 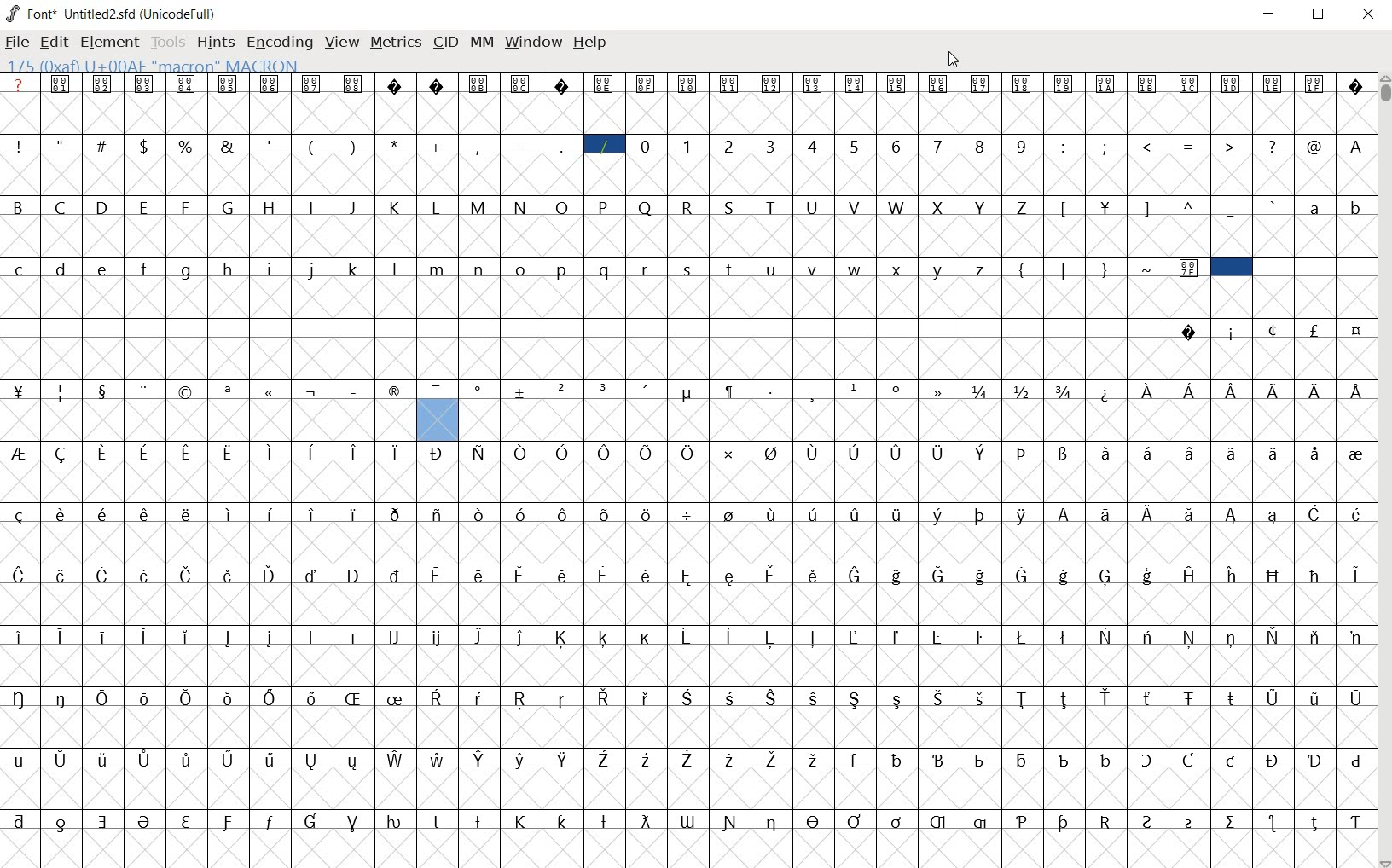 What do you see at coordinates (145, 207) in the screenshot?
I see `E` at bounding box center [145, 207].